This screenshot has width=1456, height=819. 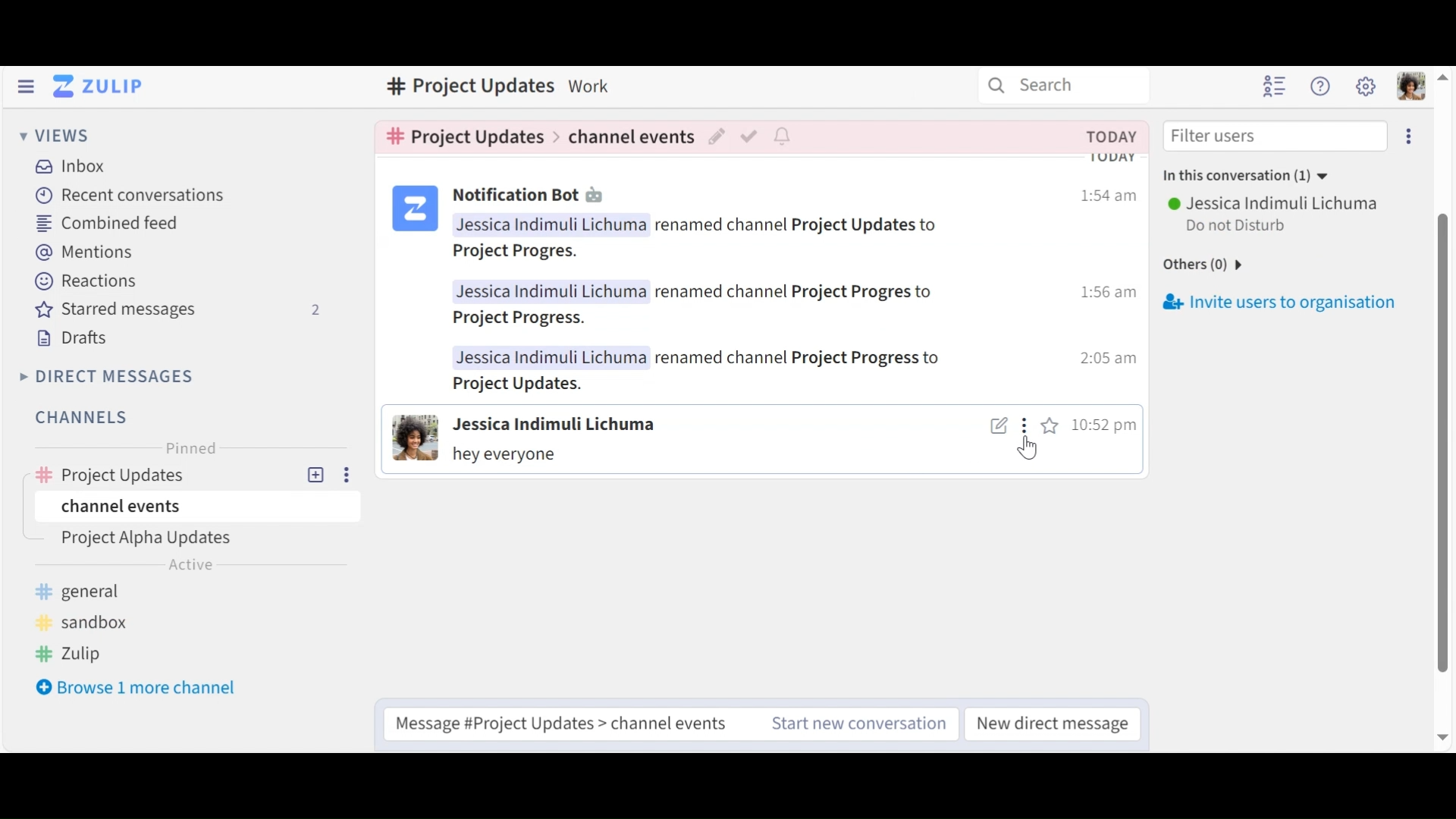 I want to click on Pinned, so click(x=192, y=448).